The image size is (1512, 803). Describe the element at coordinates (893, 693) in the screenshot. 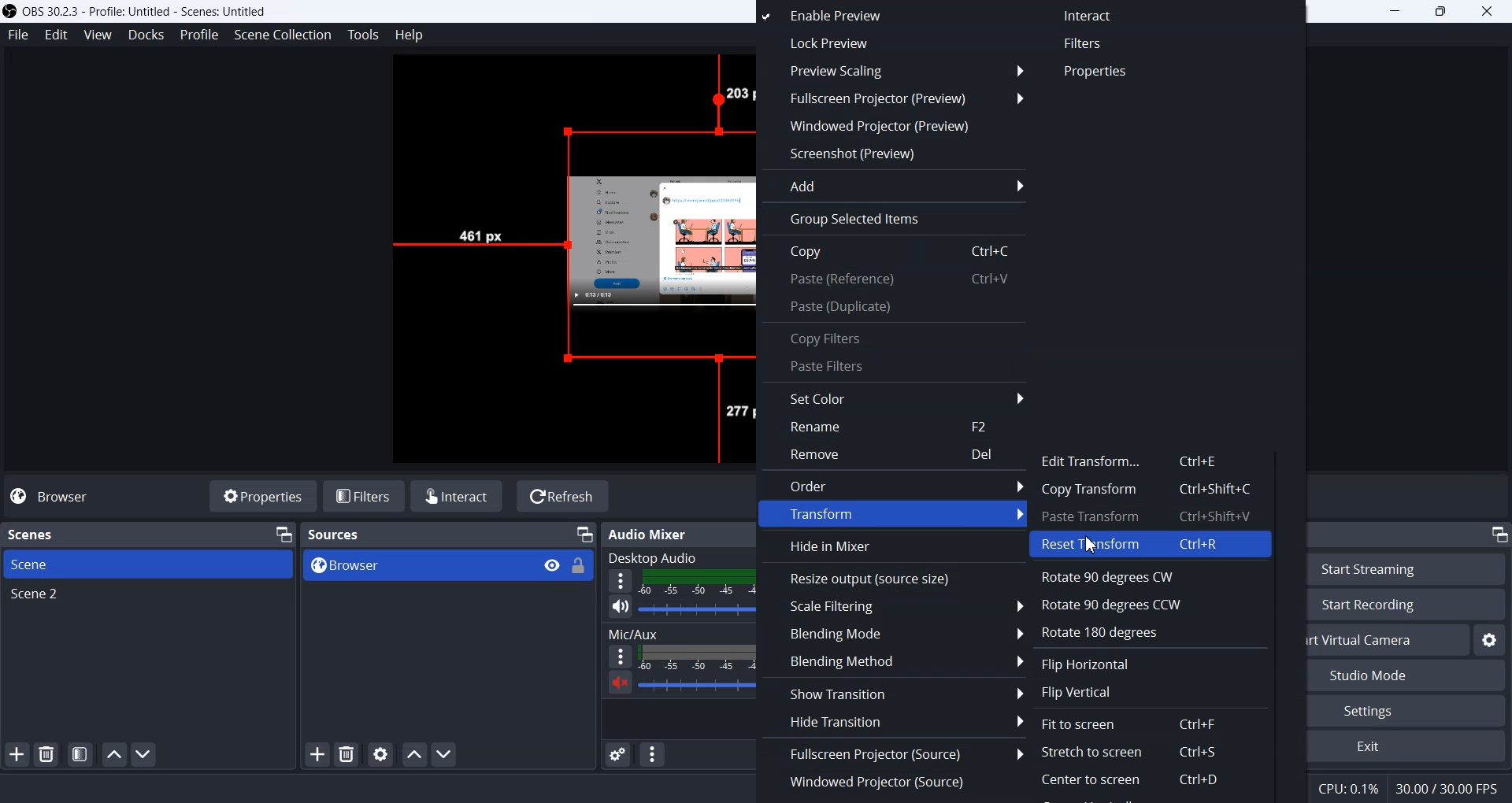

I see `Show Transition` at that location.